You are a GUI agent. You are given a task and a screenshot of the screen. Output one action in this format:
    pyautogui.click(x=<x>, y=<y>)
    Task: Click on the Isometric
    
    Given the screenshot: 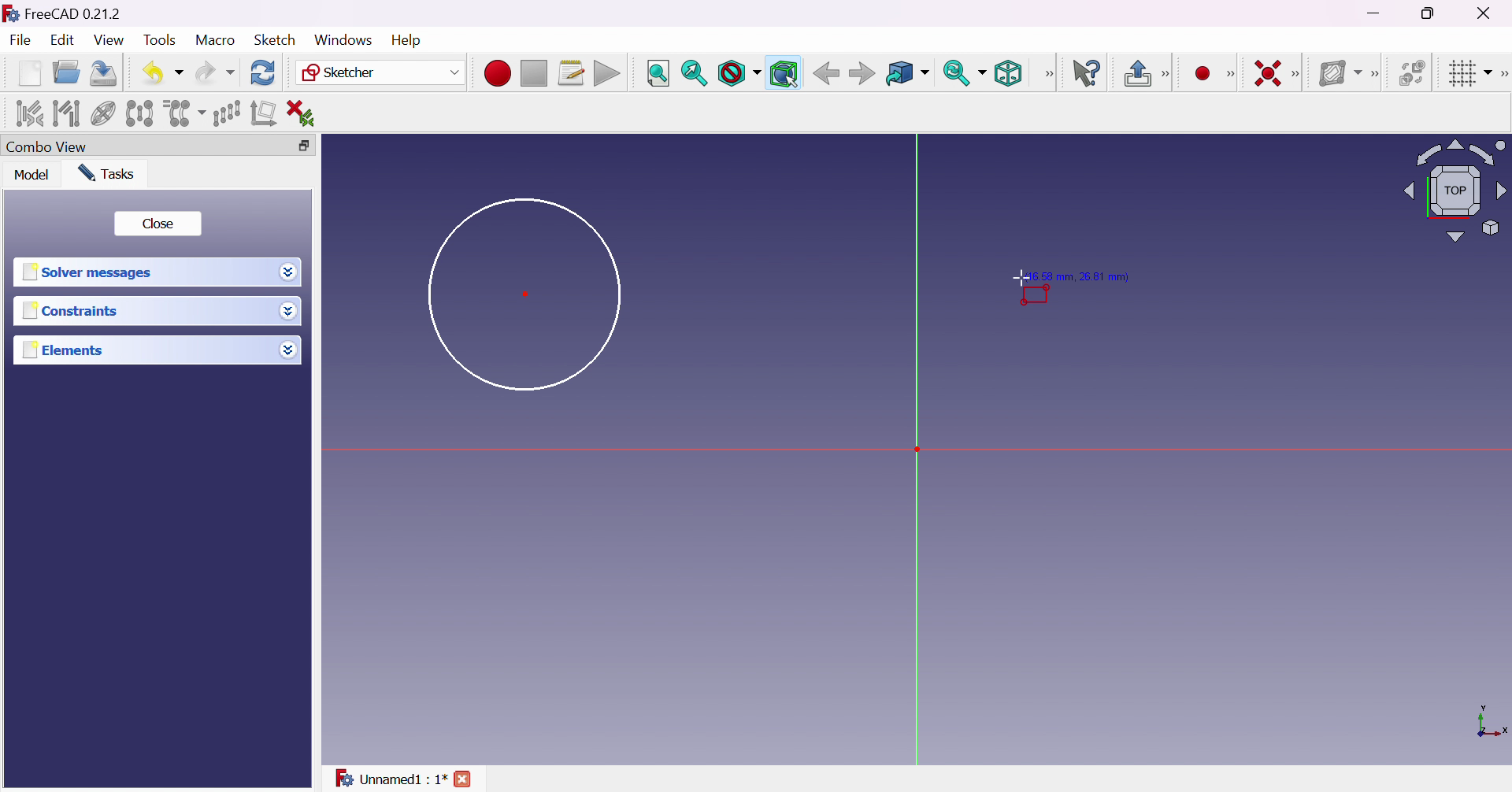 What is the action you would take?
    pyautogui.click(x=1007, y=75)
    